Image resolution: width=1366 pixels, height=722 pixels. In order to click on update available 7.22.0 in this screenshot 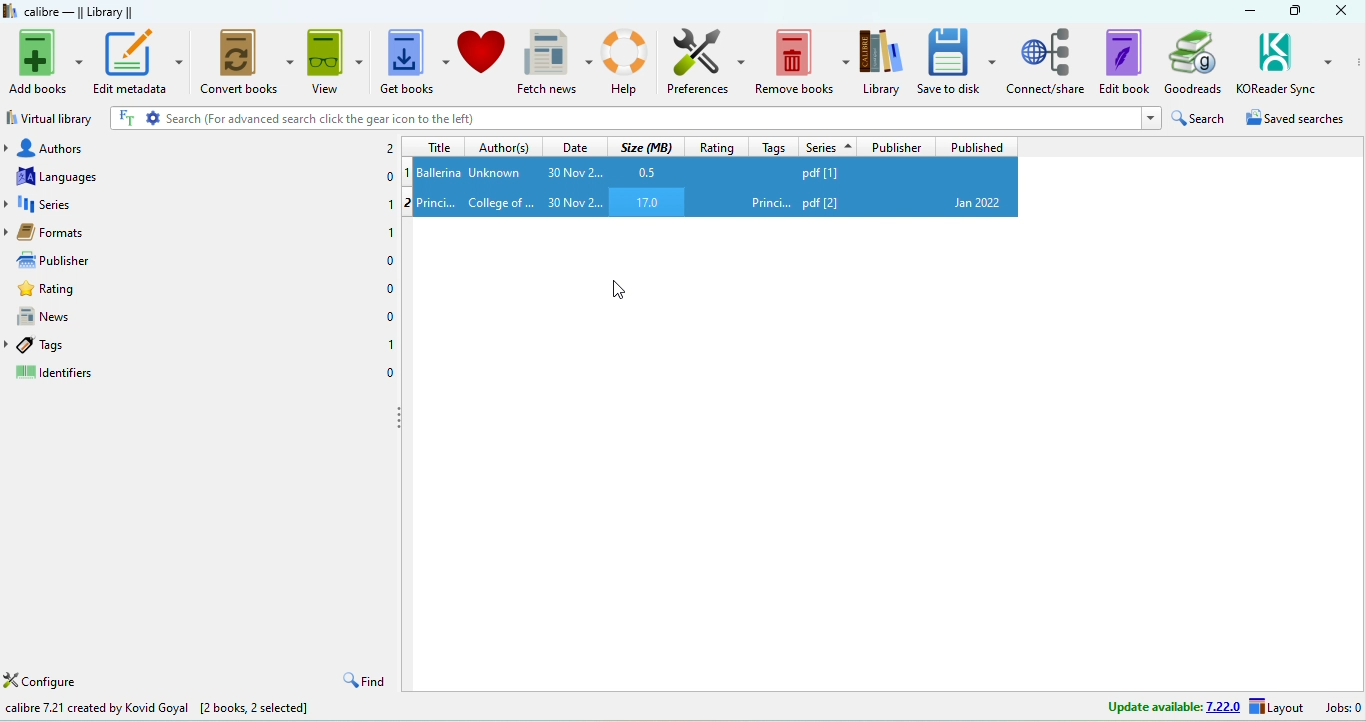, I will do `click(1174, 705)`.